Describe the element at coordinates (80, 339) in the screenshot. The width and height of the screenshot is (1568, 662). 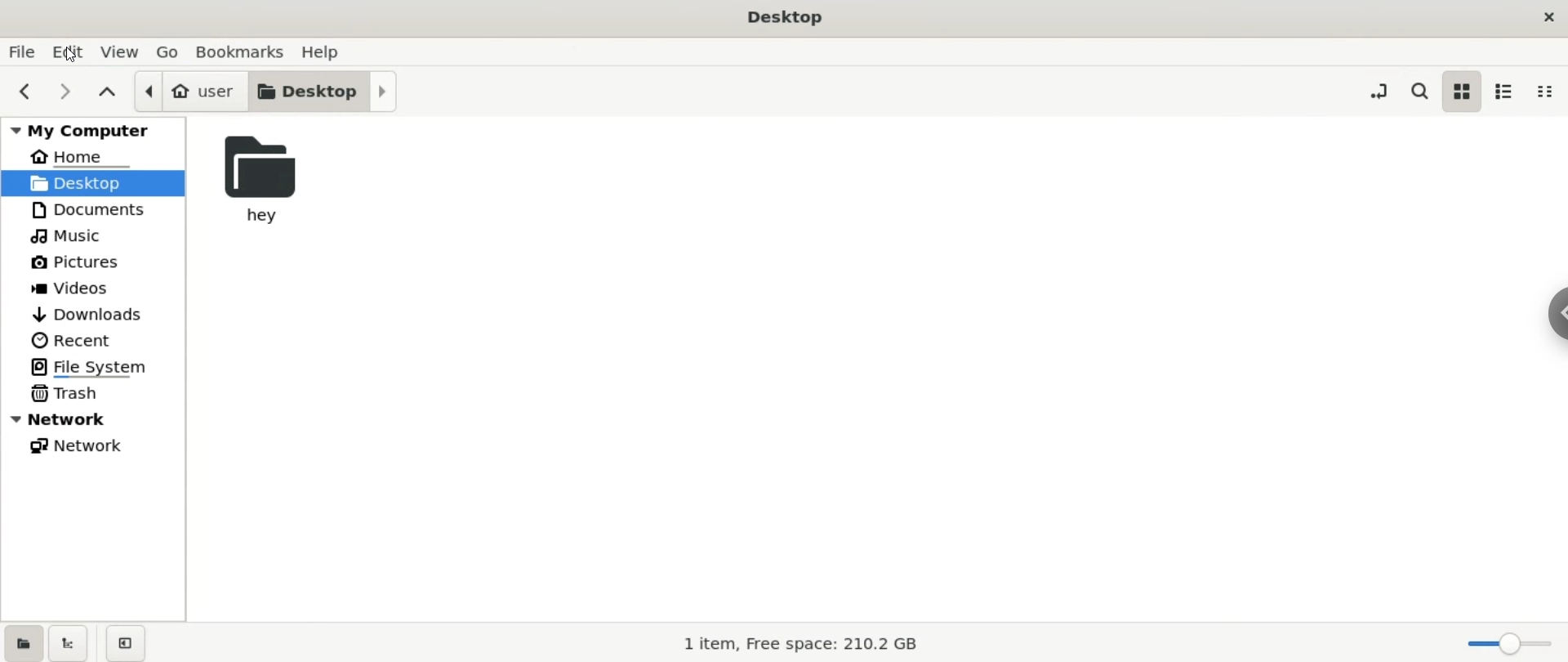
I see `recent` at that location.